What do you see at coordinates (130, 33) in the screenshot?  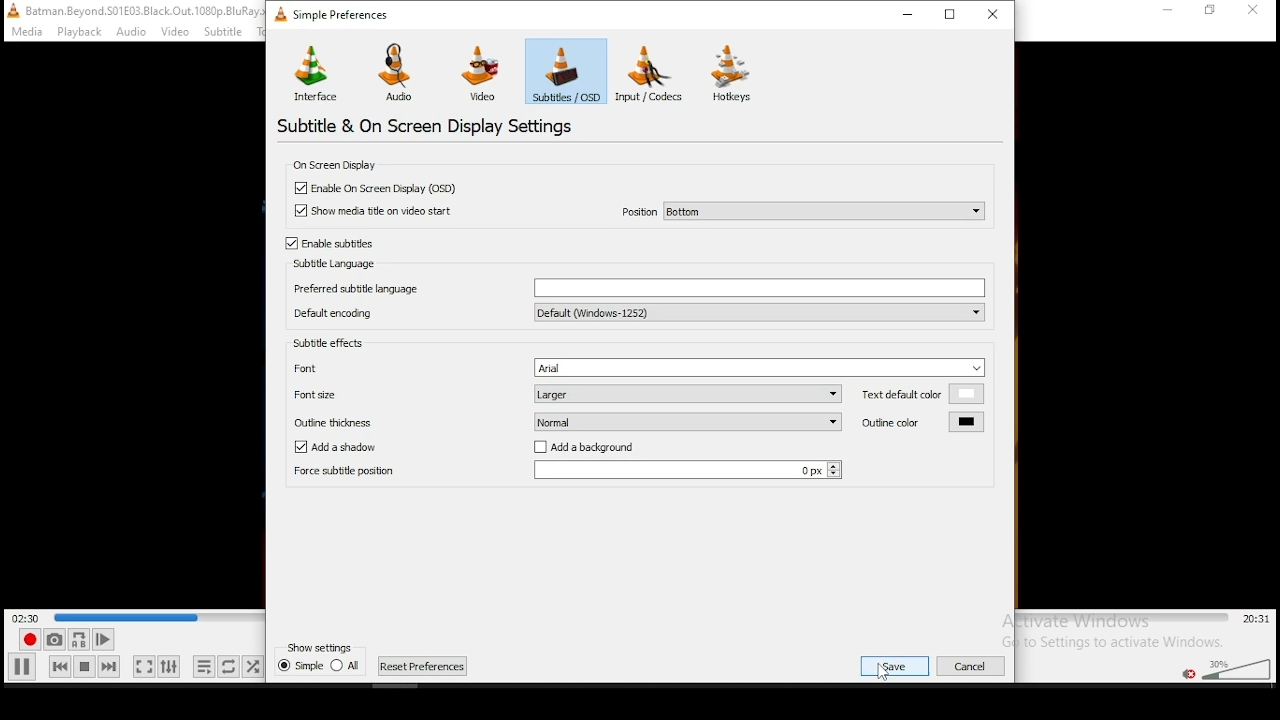 I see `audio` at bounding box center [130, 33].